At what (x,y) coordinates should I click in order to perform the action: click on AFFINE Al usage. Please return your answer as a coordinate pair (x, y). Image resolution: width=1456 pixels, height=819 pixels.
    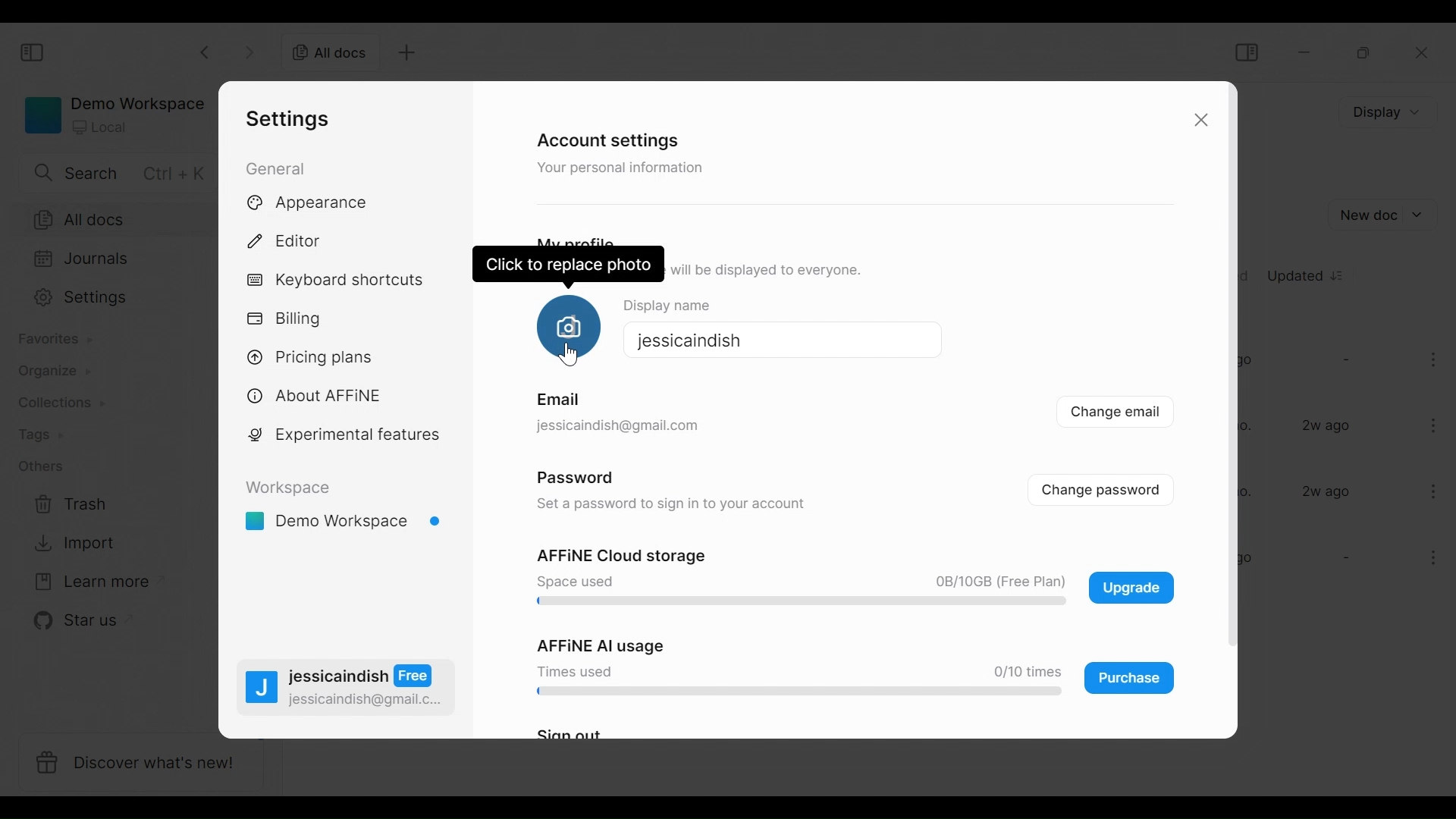
    Looking at the image, I should click on (591, 644).